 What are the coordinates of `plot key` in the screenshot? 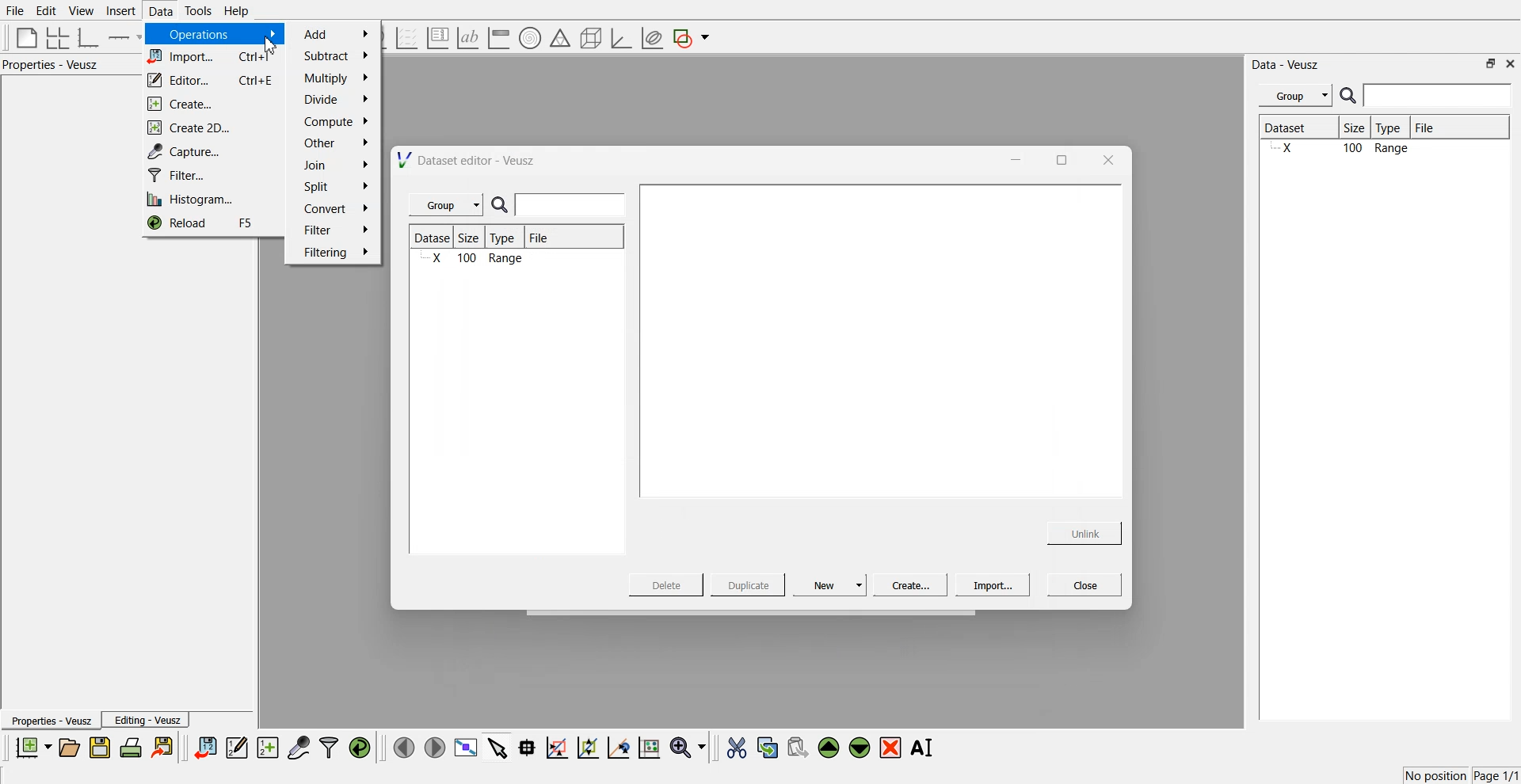 It's located at (437, 38).